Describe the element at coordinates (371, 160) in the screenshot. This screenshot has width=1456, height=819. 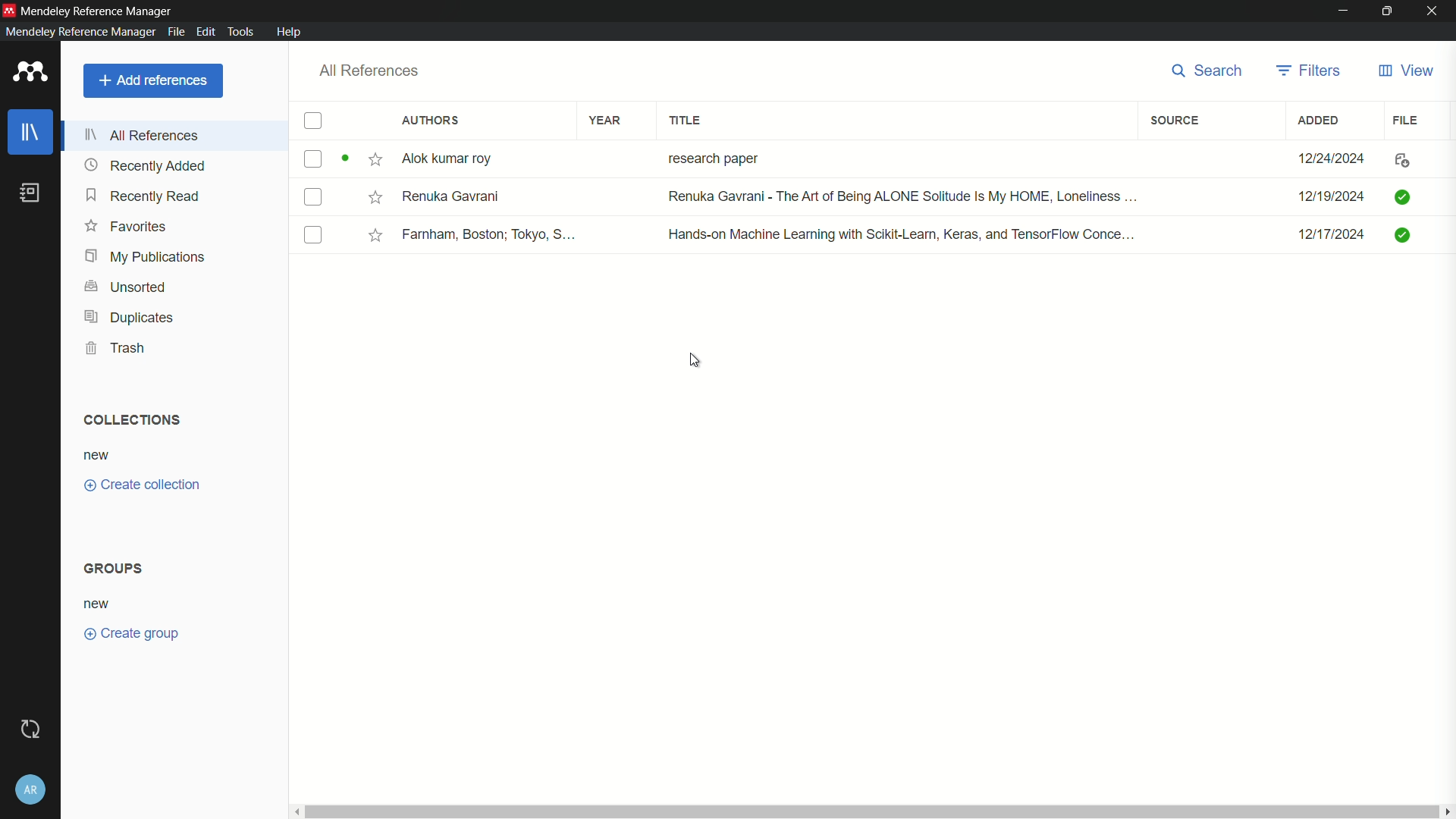
I see `favourite` at that location.